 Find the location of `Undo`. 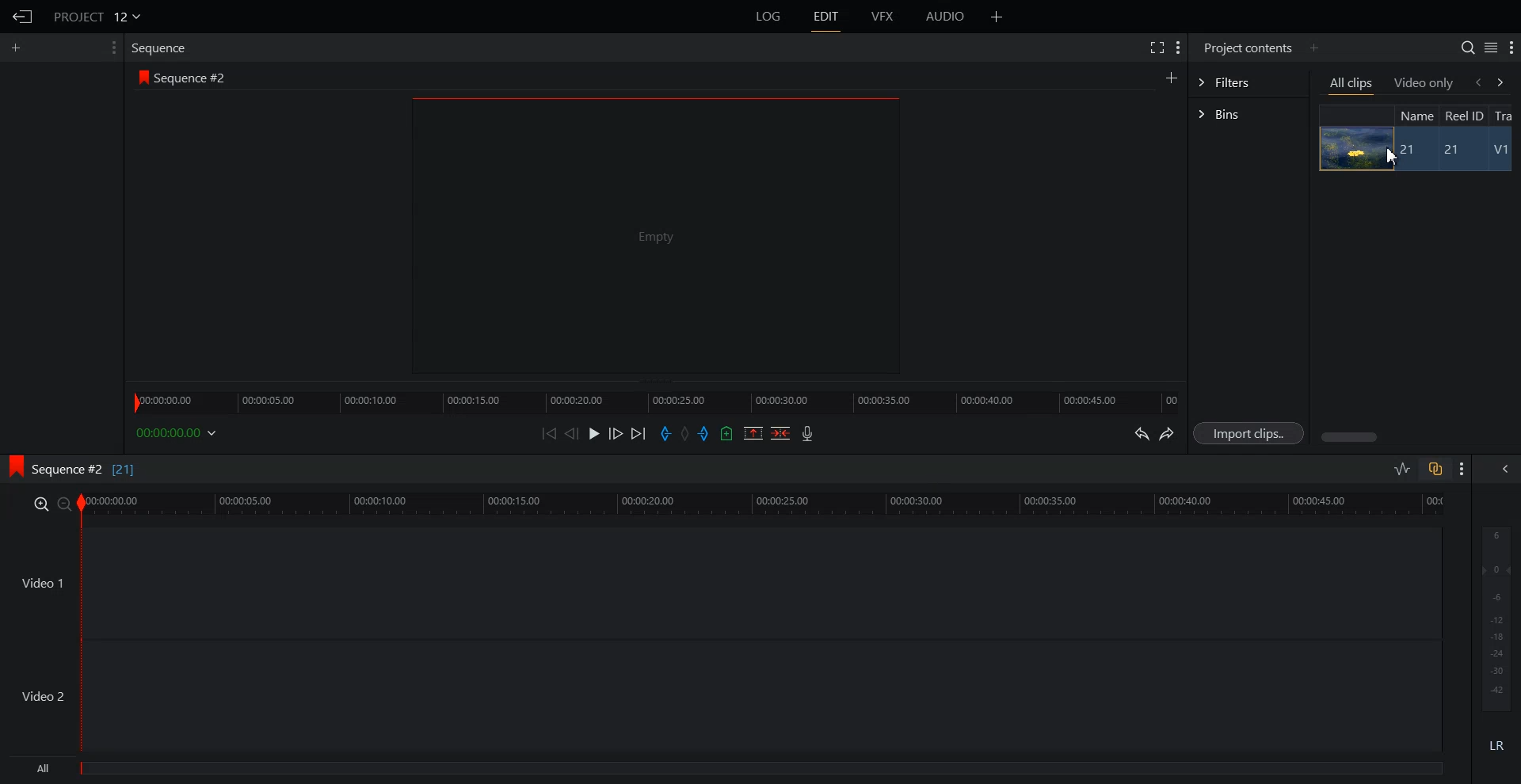

Undo is located at coordinates (1139, 434).